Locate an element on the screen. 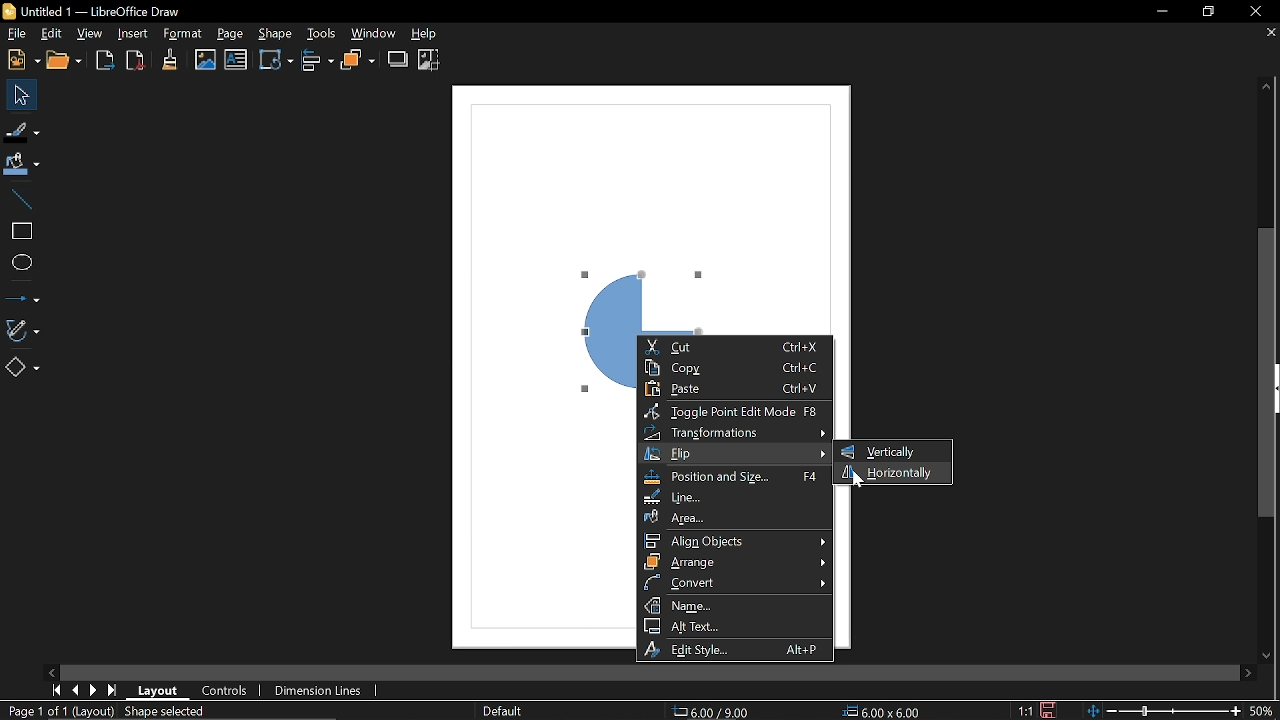 Image resolution: width=1280 pixels, height=720 pixels. Allign object is located at coordinates (736, 541).